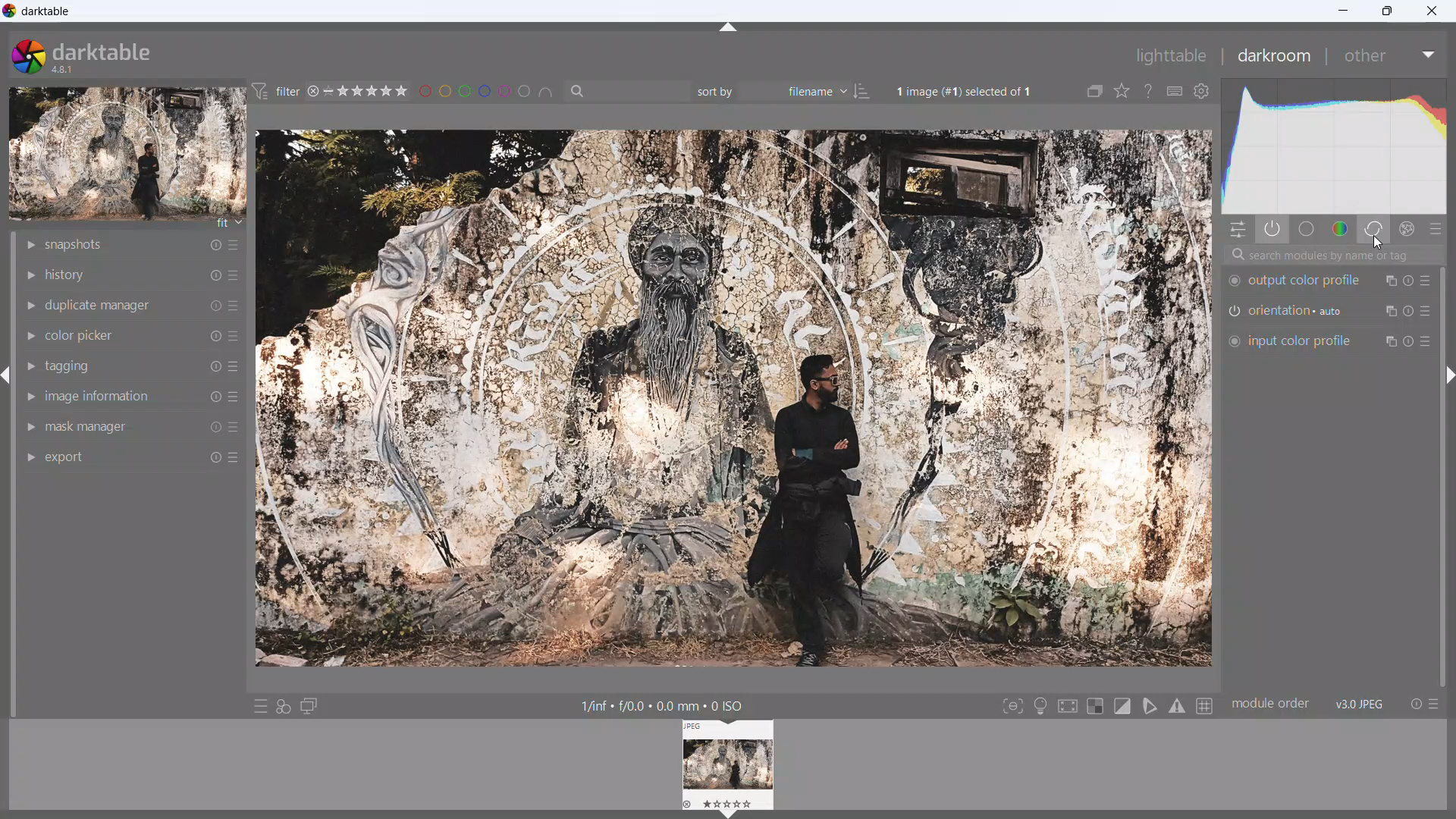 The width and height of the screenshot is (1456, 819). I want to click on other, so click(1391, 56).